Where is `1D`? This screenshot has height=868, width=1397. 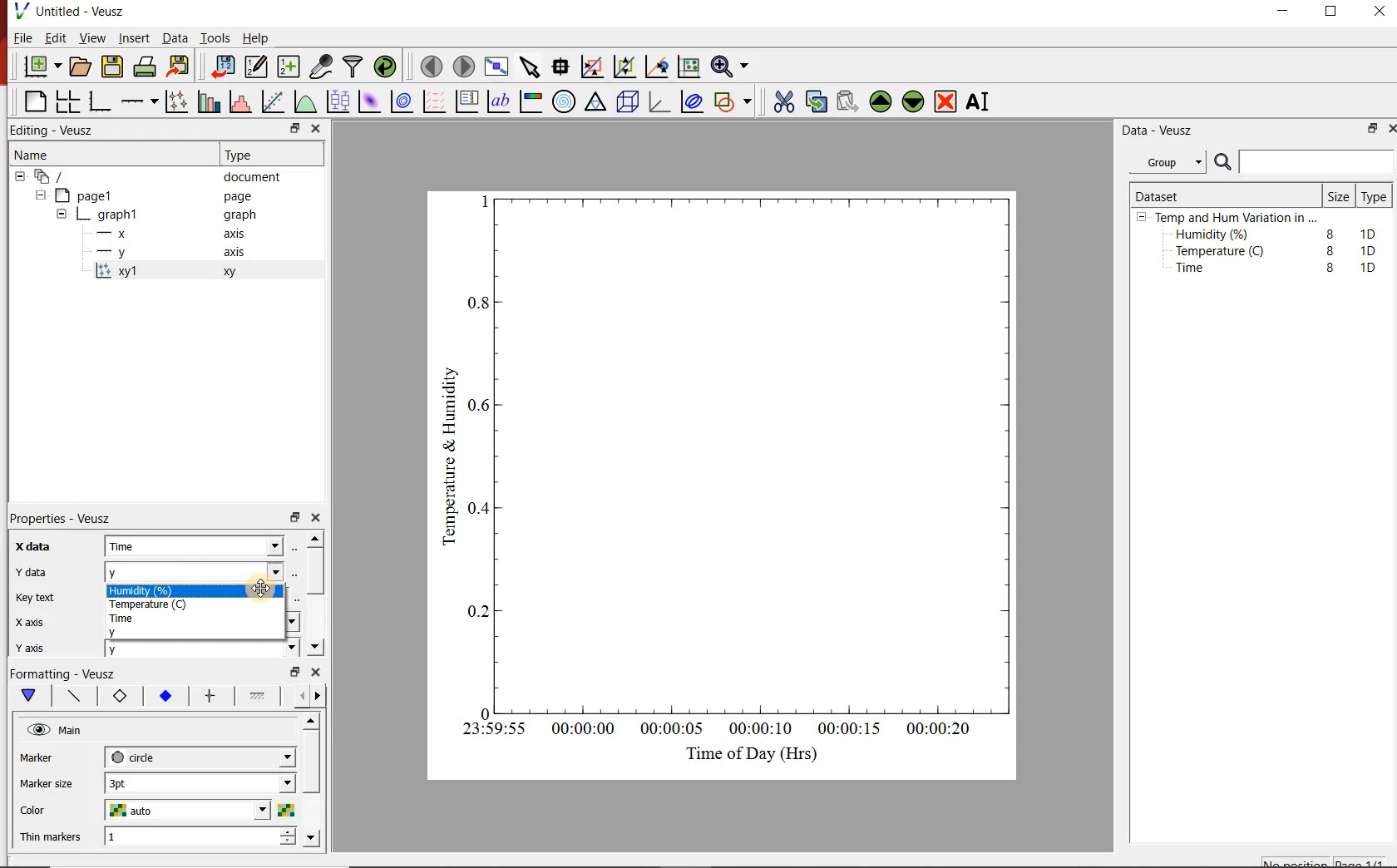 1D is located at coordinates (1373, 250).